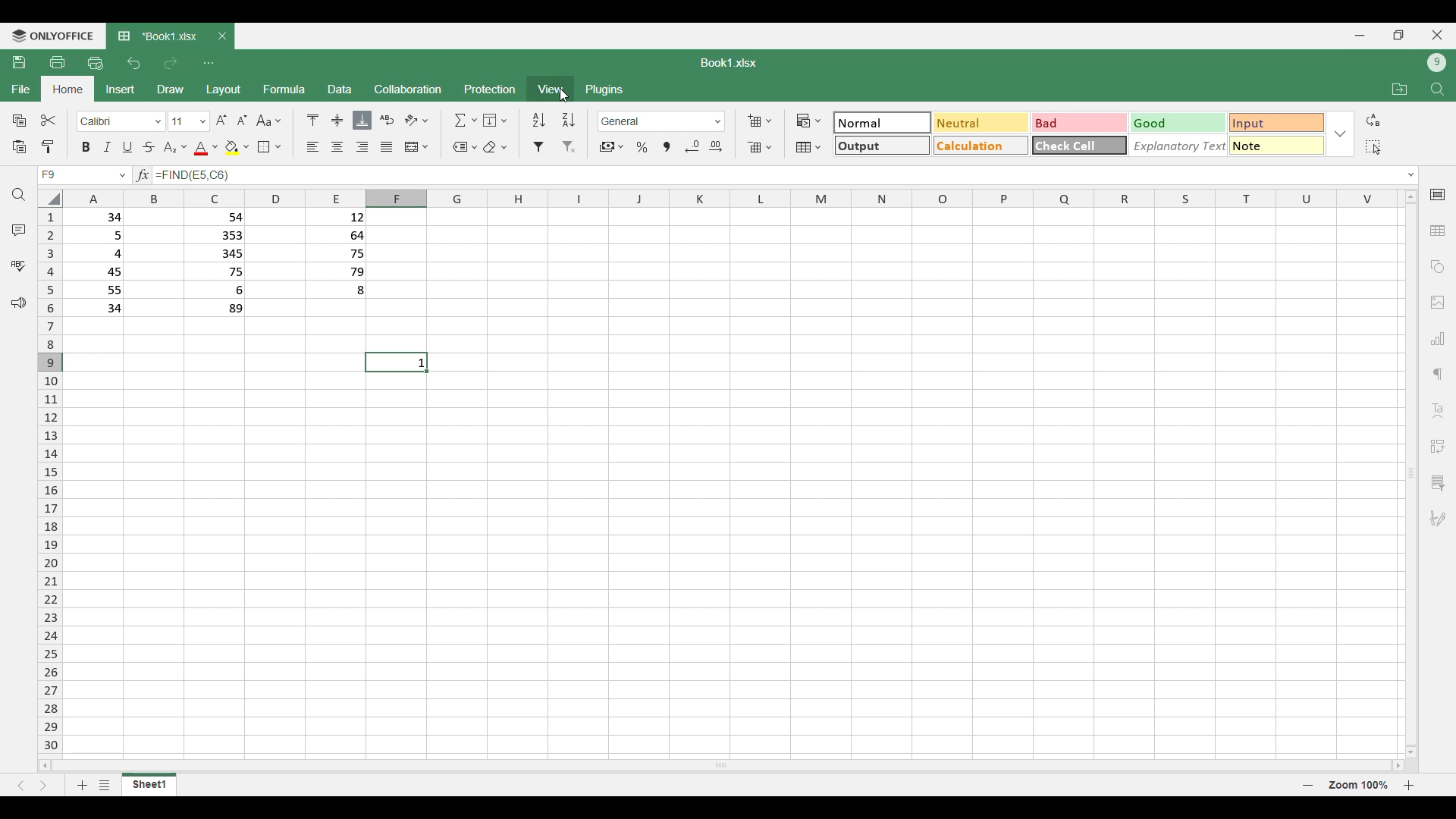  Describe the element at coordinates (284, 91) in the screenshot. I see `Formula menu` at that location.